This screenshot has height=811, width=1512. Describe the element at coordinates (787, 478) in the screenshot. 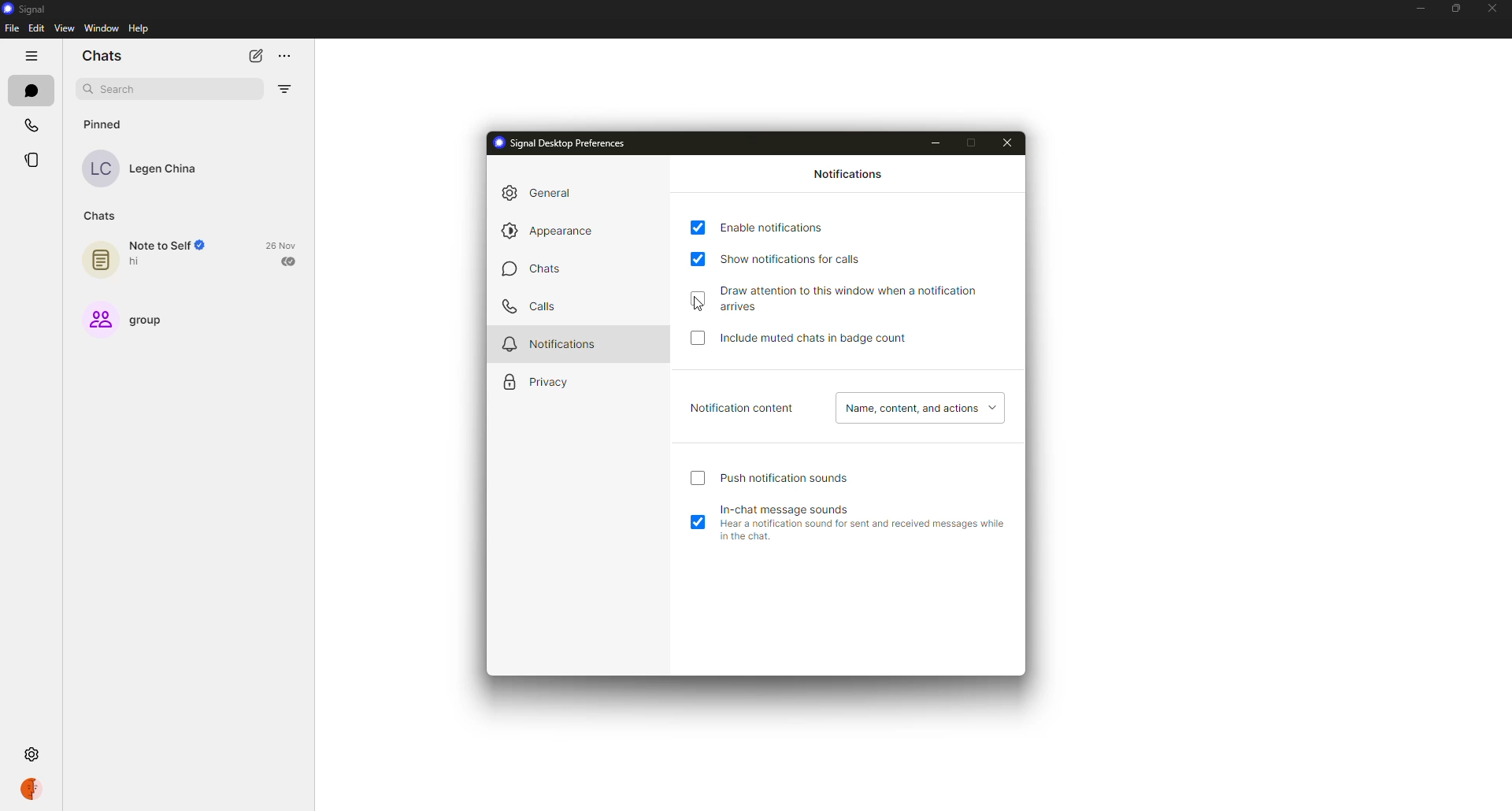

I see `push notification sound` at that location.